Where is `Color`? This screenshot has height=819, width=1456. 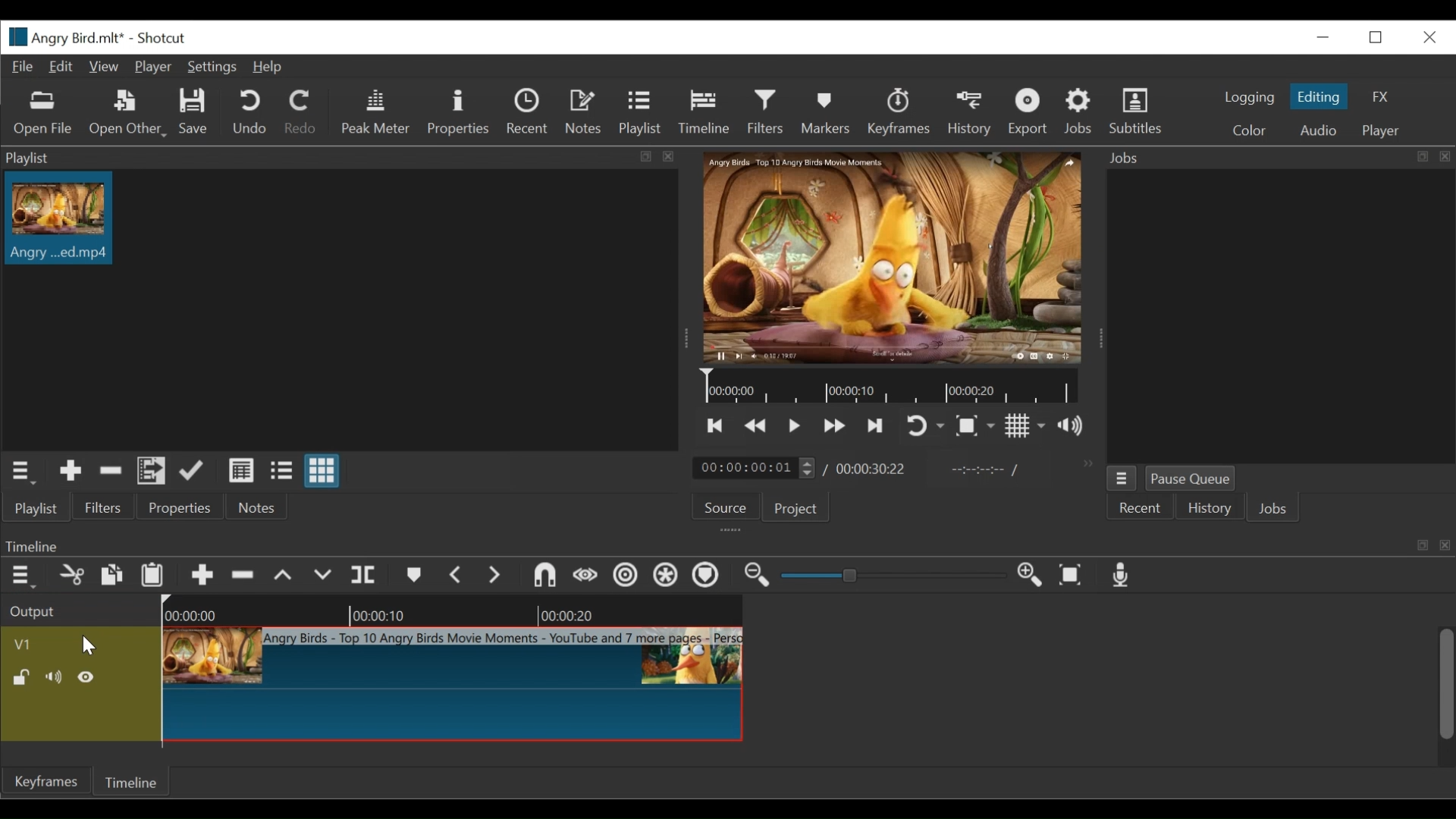
Color is located at coordinates (1252, 132).